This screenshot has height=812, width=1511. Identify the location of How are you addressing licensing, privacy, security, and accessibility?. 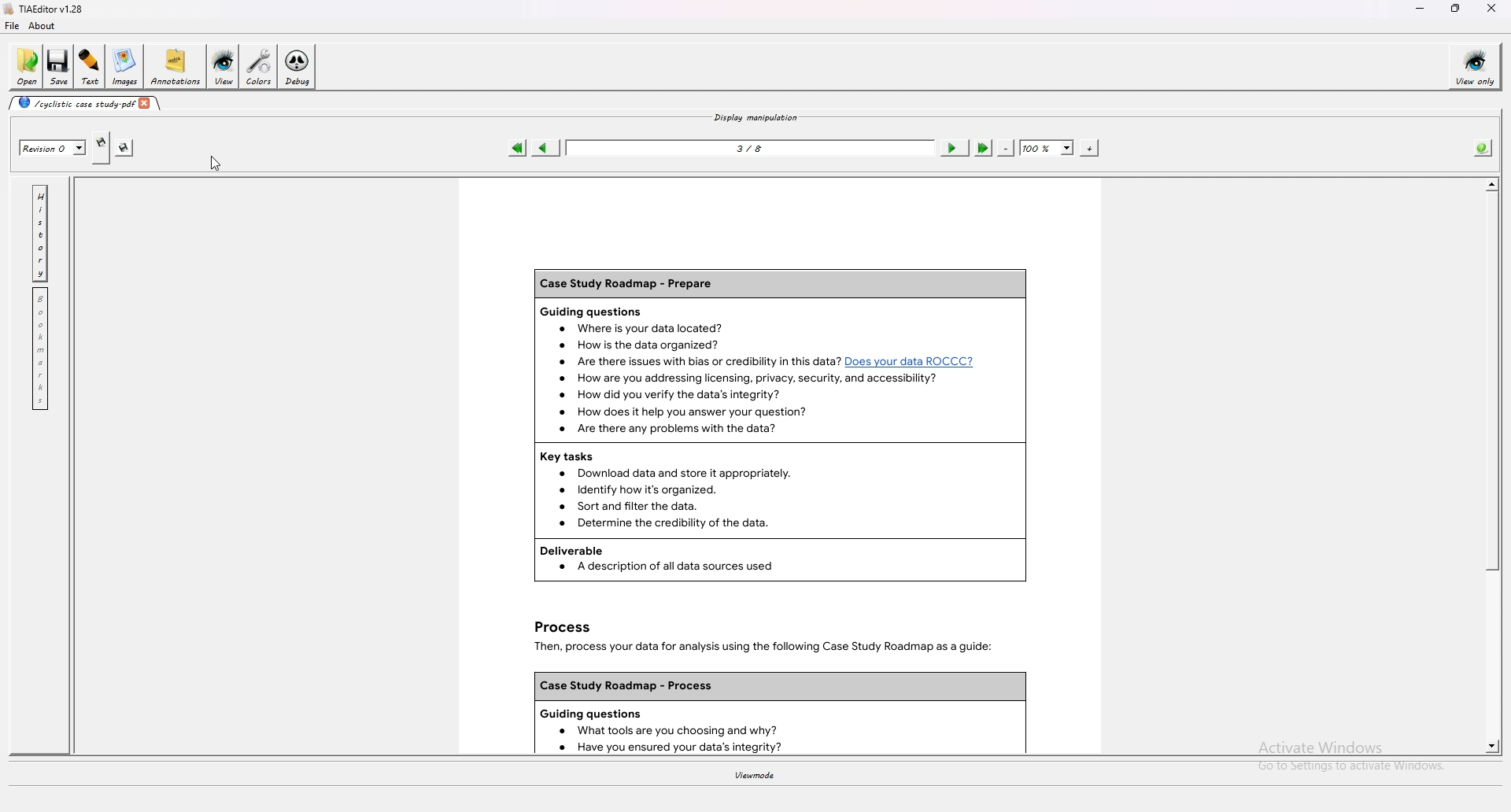
(750, 378).